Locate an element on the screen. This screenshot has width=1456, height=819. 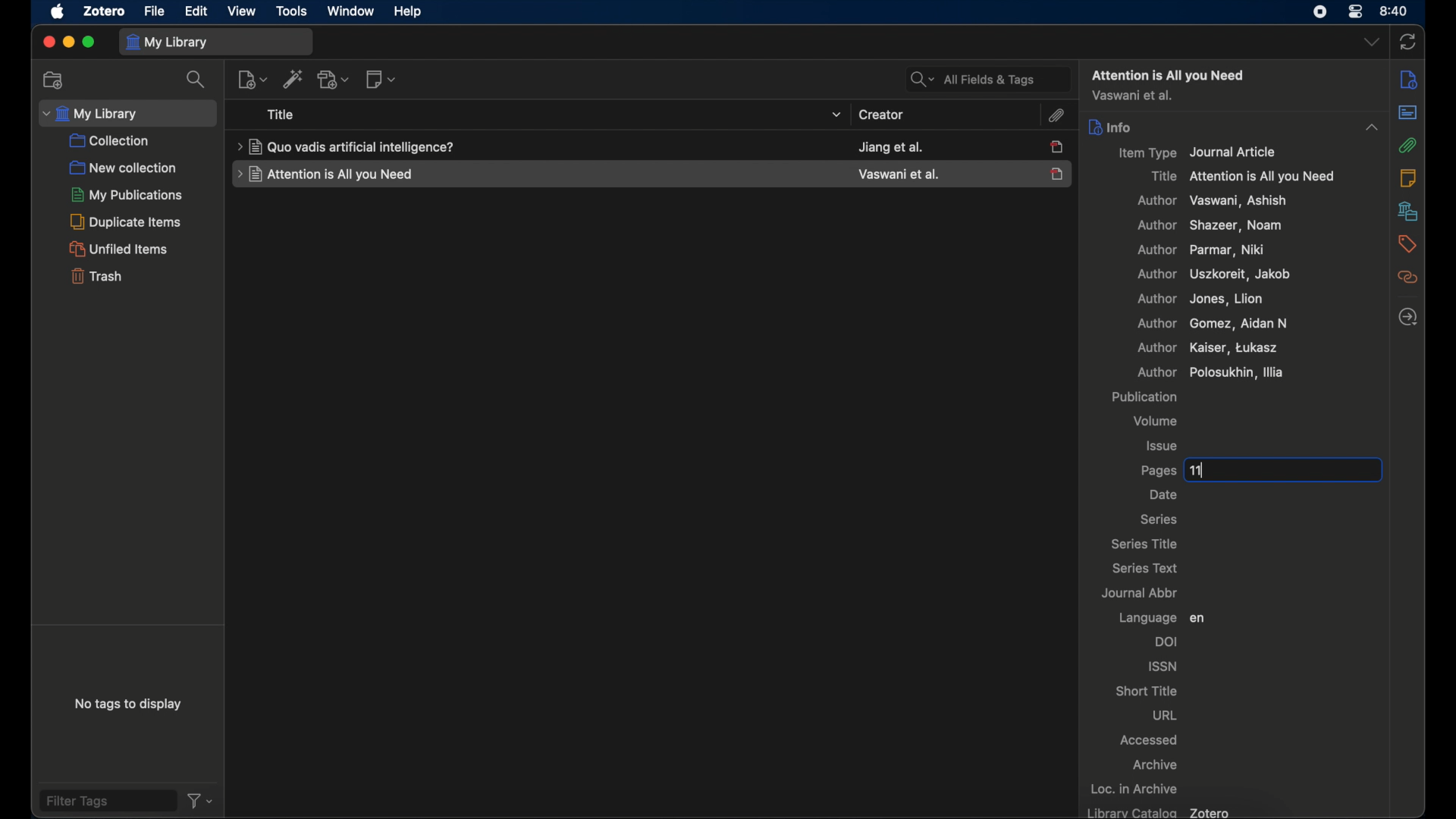
doi is located at coordinates (1169, 642).